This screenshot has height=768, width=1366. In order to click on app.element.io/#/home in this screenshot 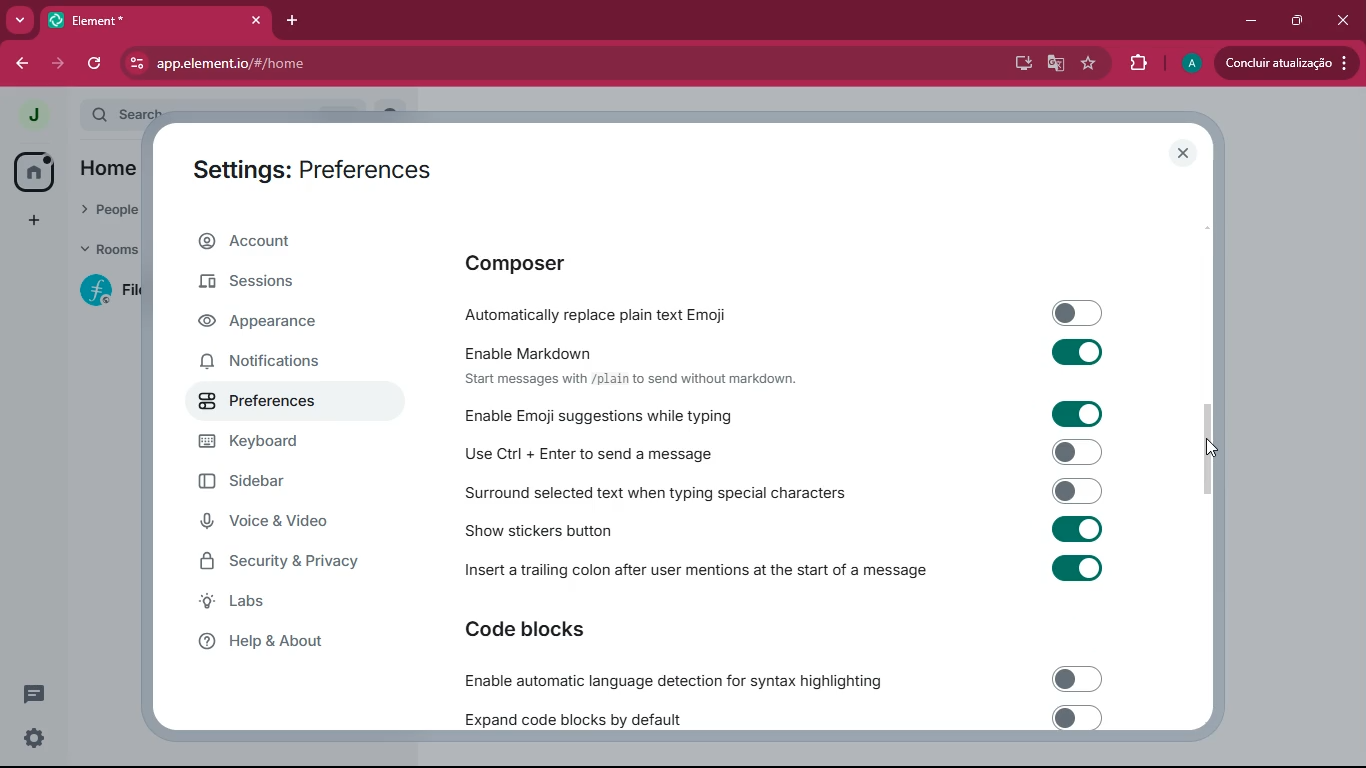, I will do `click(349, 64)`.